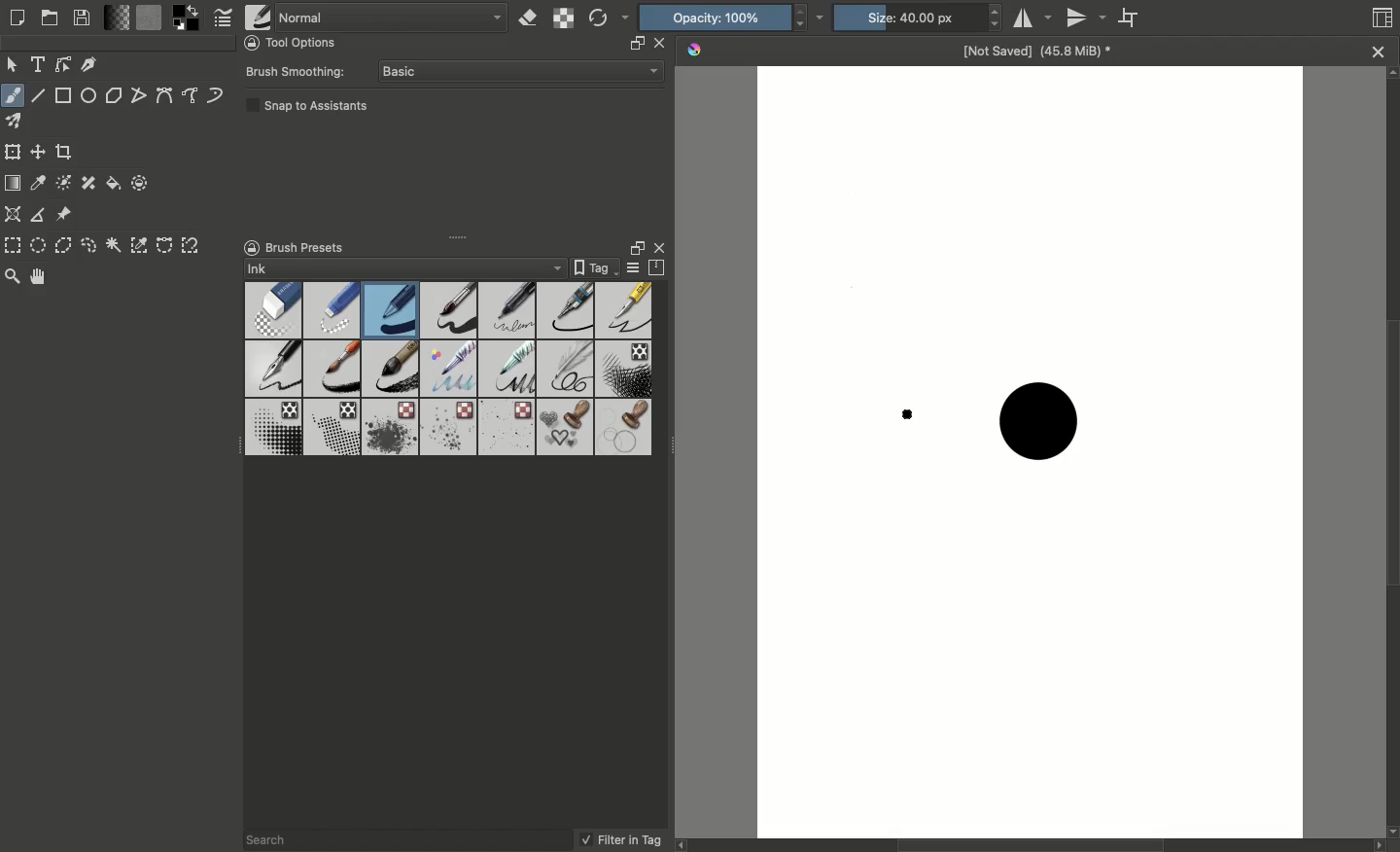 Image resolution: width=1400 pixels, height=852 pixels. Describe the element at coordinates (906, 412) in the screenshot. I see `brush cursor` at that location.